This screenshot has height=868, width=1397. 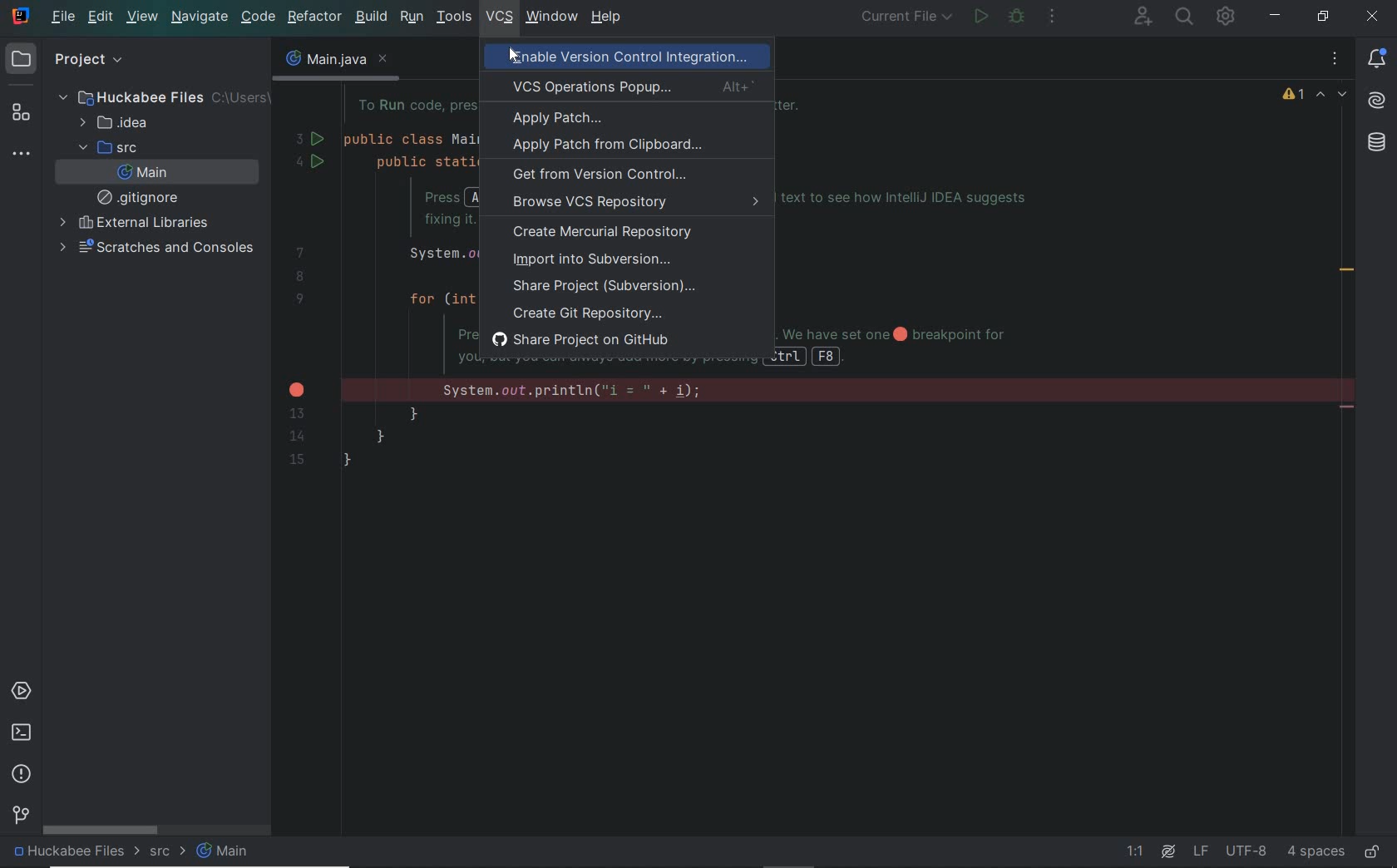 I want to click on run, so click(x=411, y=18).